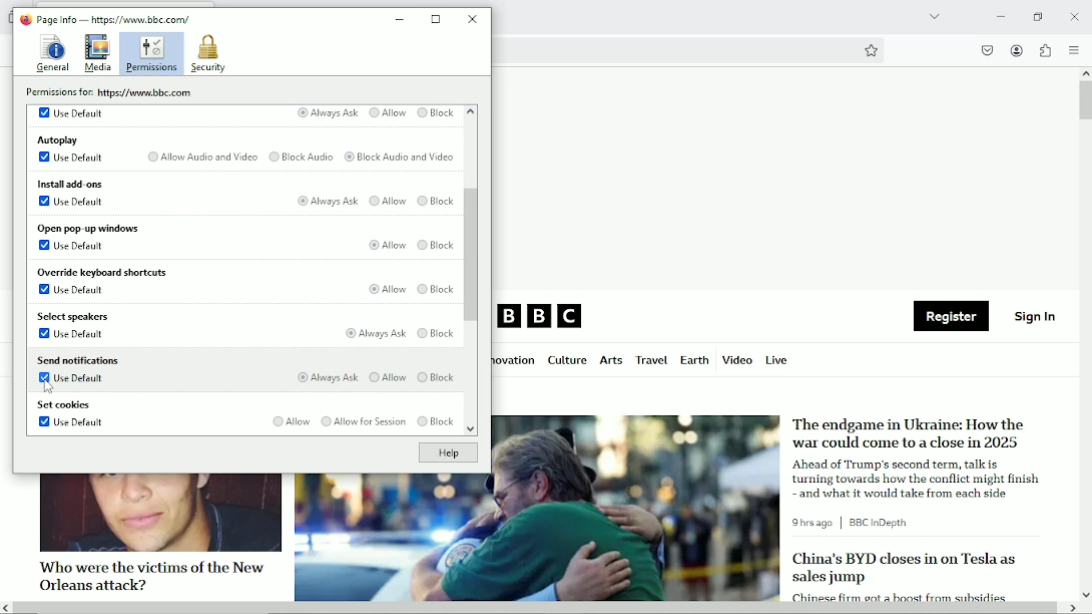  Describe the element at coordinates (159, 513) in the screenshot. I see `image` at that location.